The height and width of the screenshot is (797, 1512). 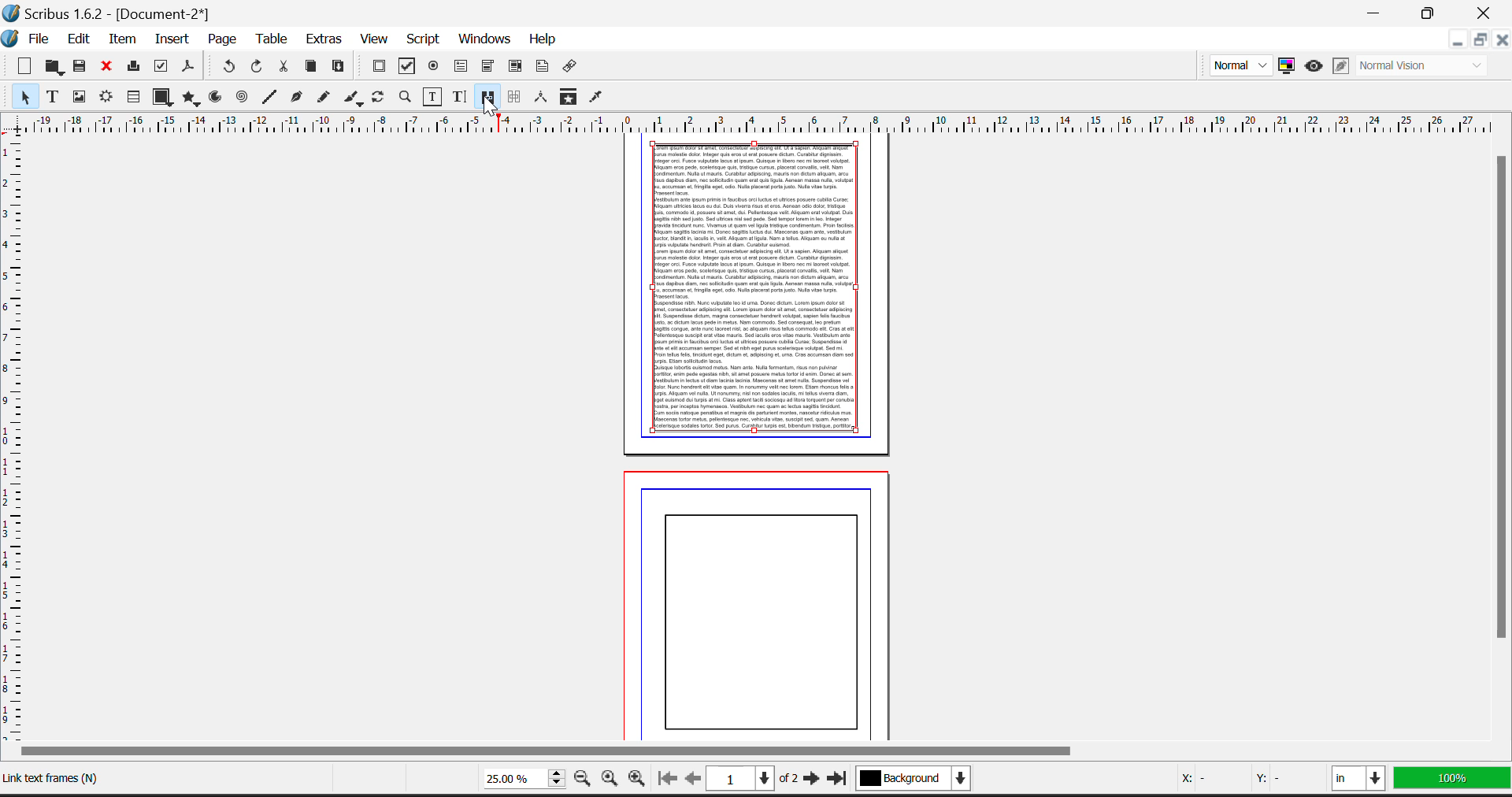 What do you see at coordinates (189, 70) in the screenshot?
I see `Export as PDF` at bounding box center [189, 70].